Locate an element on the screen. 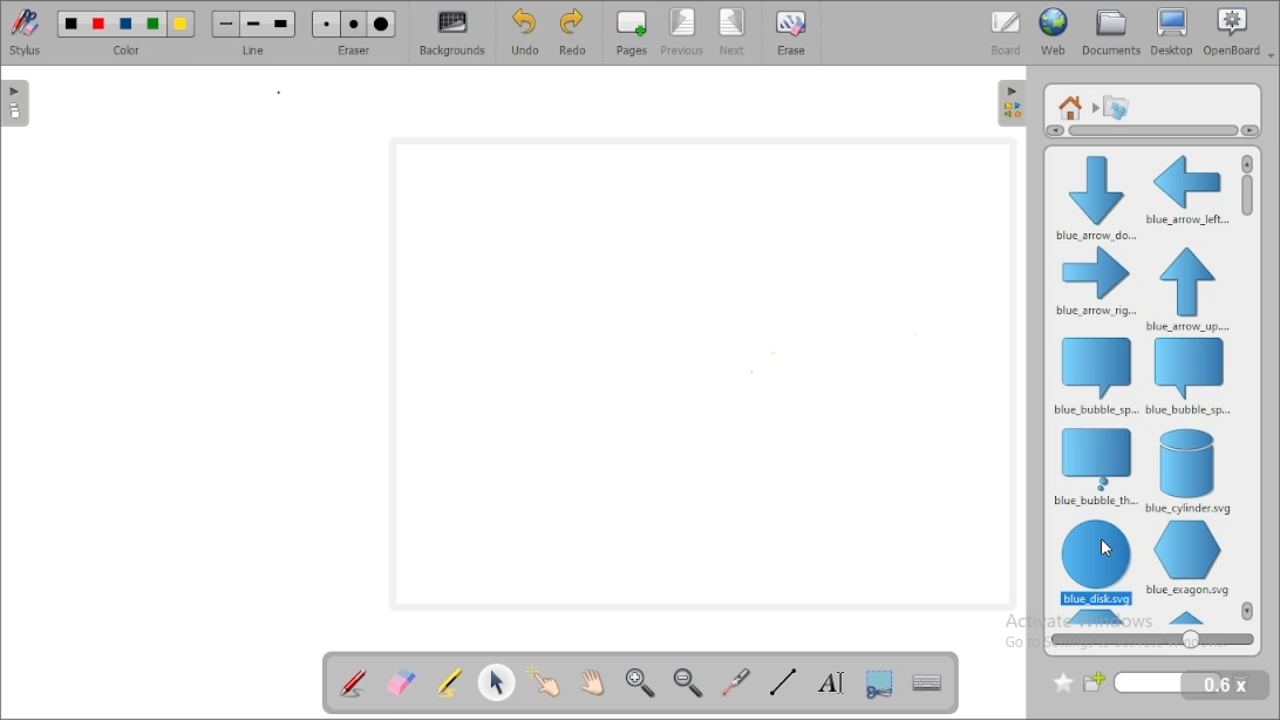 The width and height of the screenshot is (1280, 720). horizontal scroll bar is located at coordinates (1148, 131).